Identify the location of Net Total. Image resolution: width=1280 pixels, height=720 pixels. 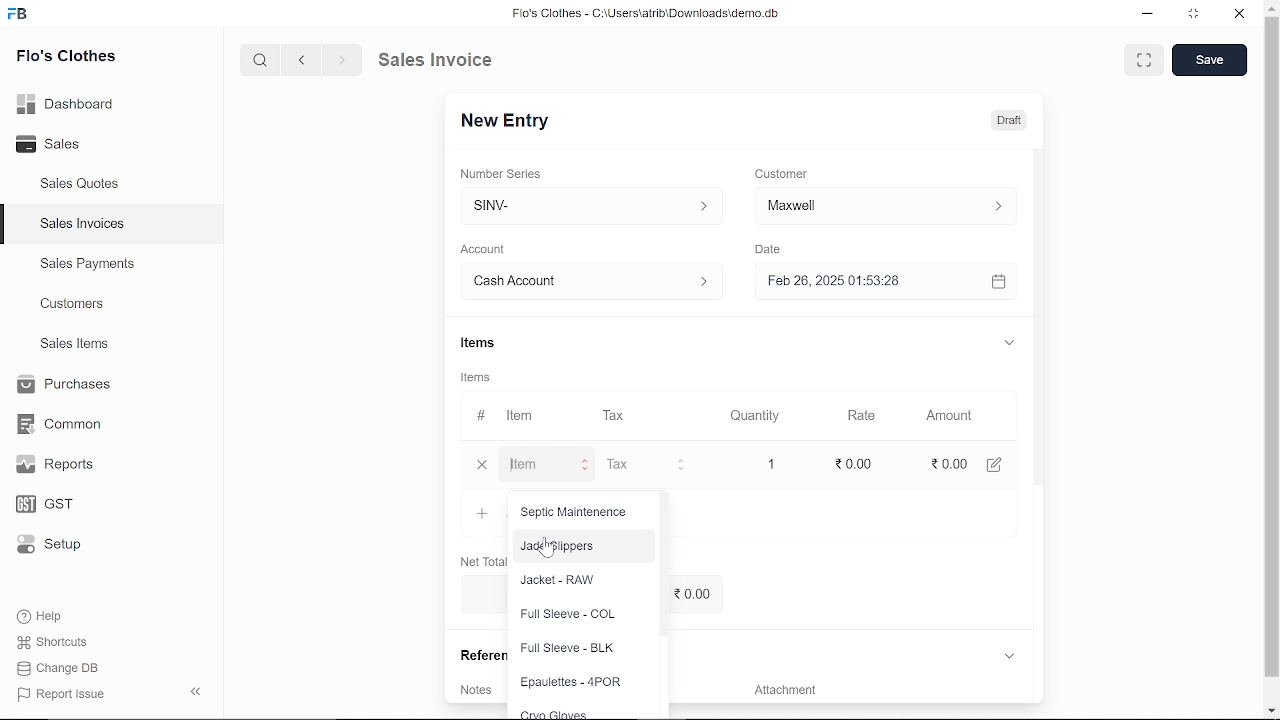
(478, 563).